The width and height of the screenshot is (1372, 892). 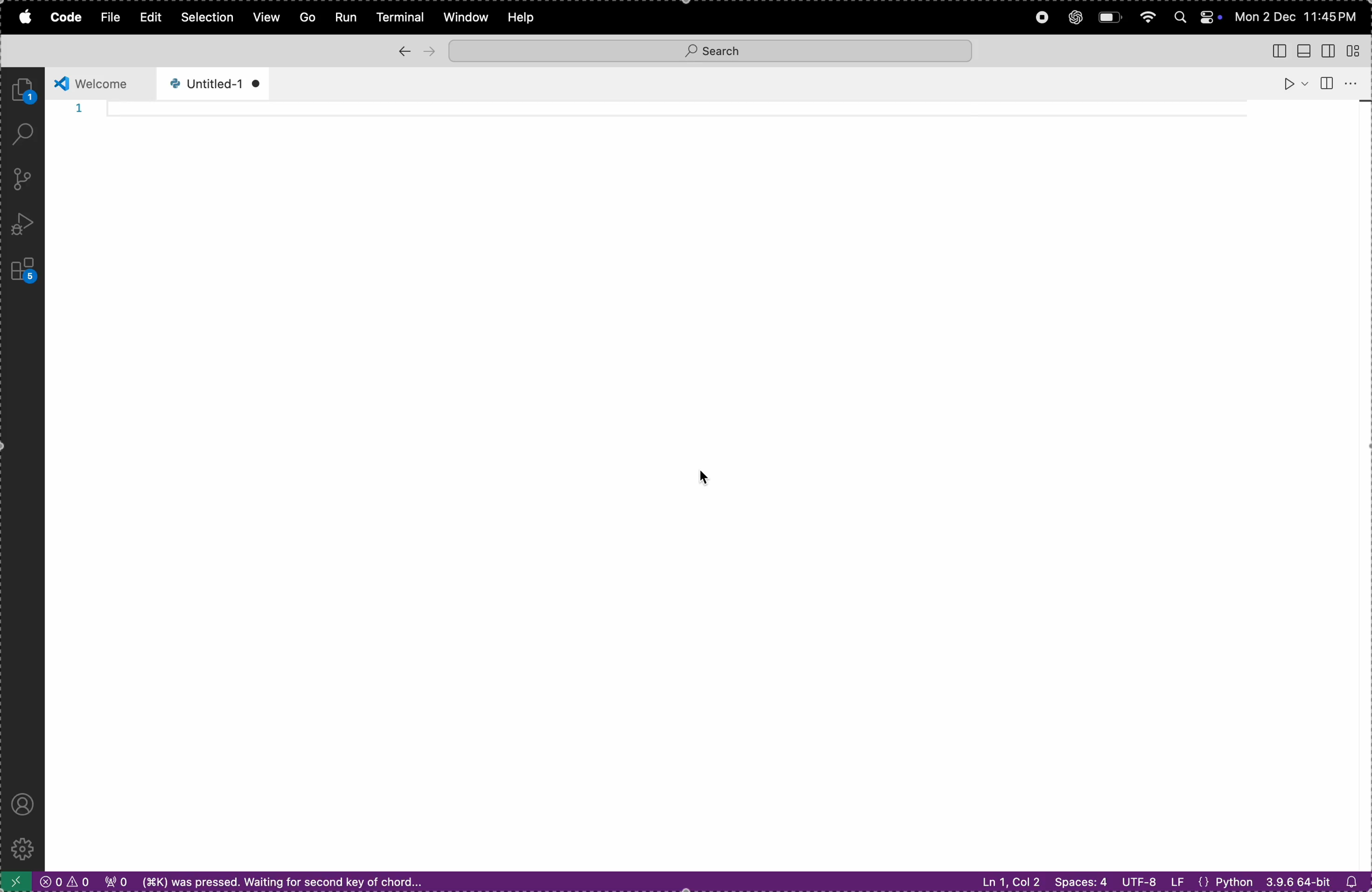 What do you see at coordinates (1080, 880) in the screenshot?
I see `spaces 4` at bounding box center [1080, 880].